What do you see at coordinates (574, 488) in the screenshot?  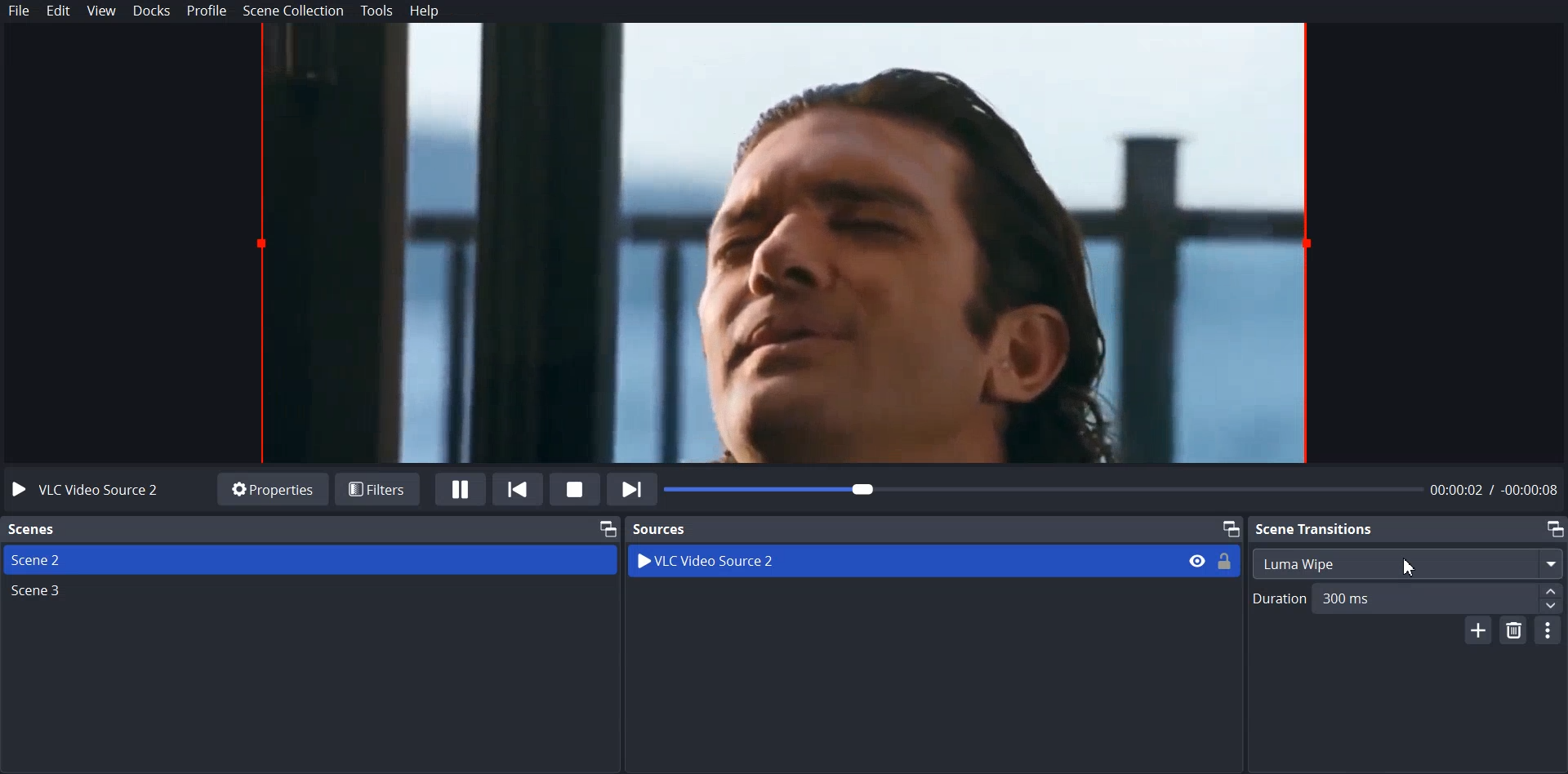 I see `Stop Media` at bounding box center [574, 488].